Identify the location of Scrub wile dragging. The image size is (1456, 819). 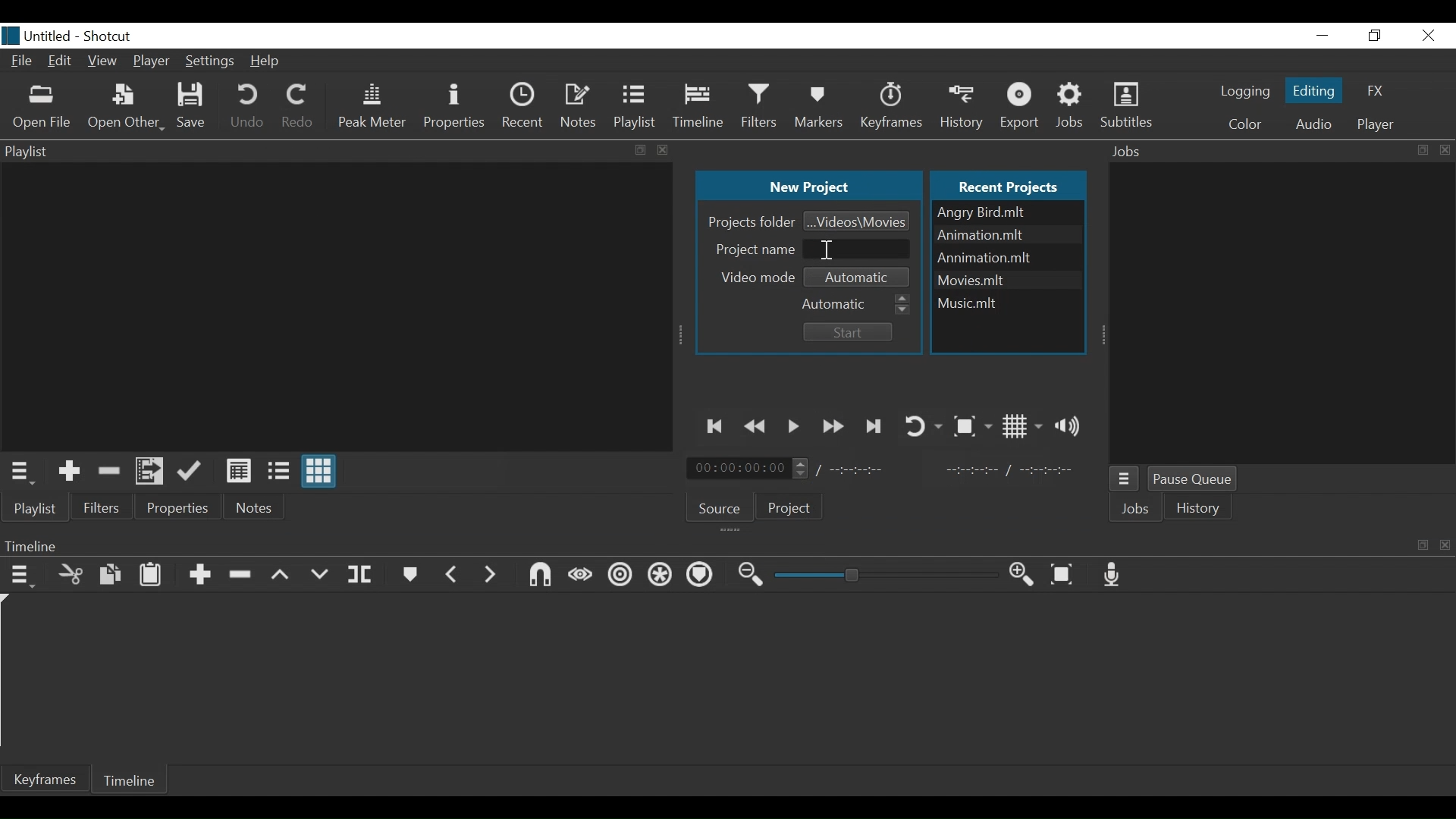
(579, 575).